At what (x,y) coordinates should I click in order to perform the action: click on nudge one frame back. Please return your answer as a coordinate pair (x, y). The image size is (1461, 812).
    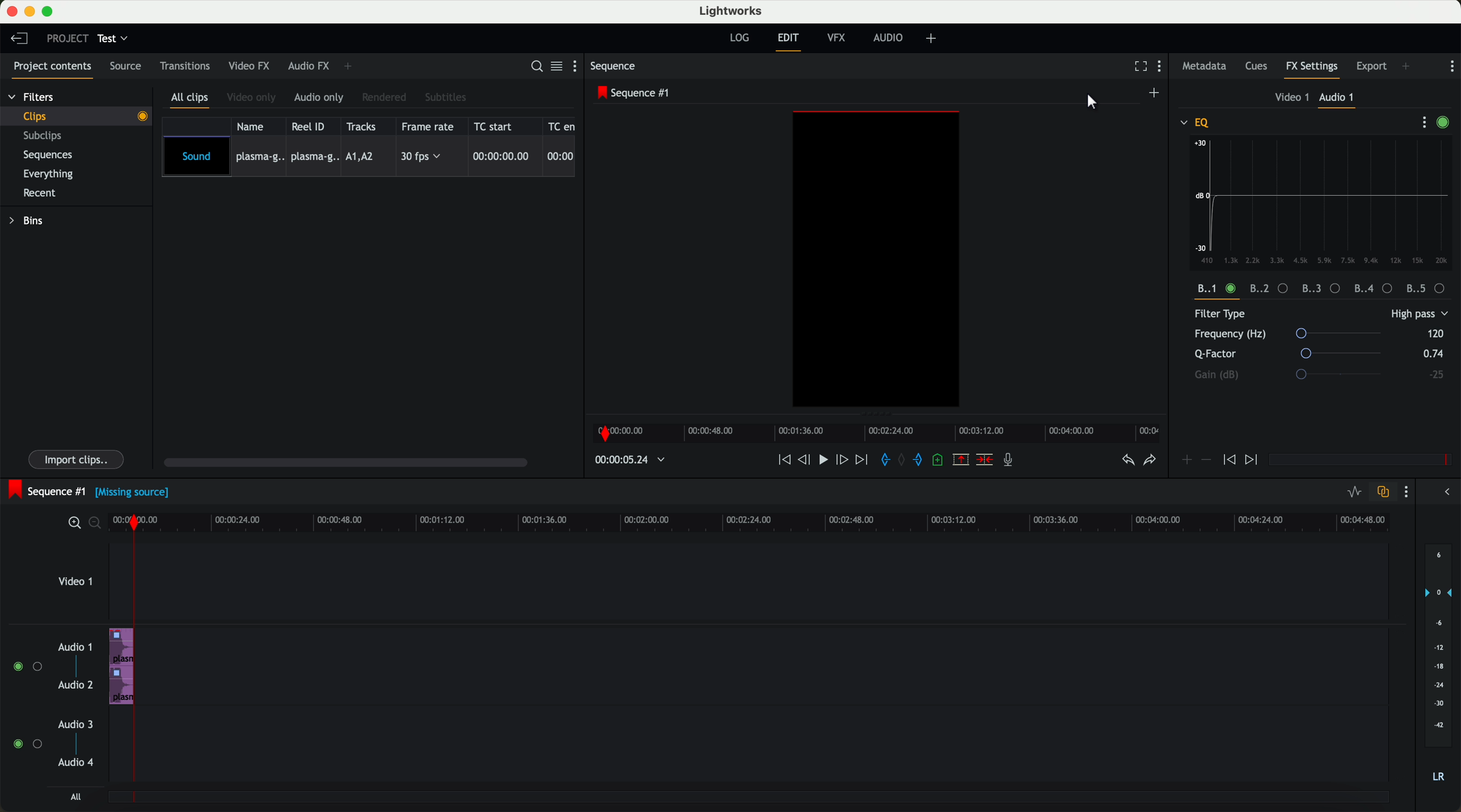
    Looking at the image, I should click on (807, 460).